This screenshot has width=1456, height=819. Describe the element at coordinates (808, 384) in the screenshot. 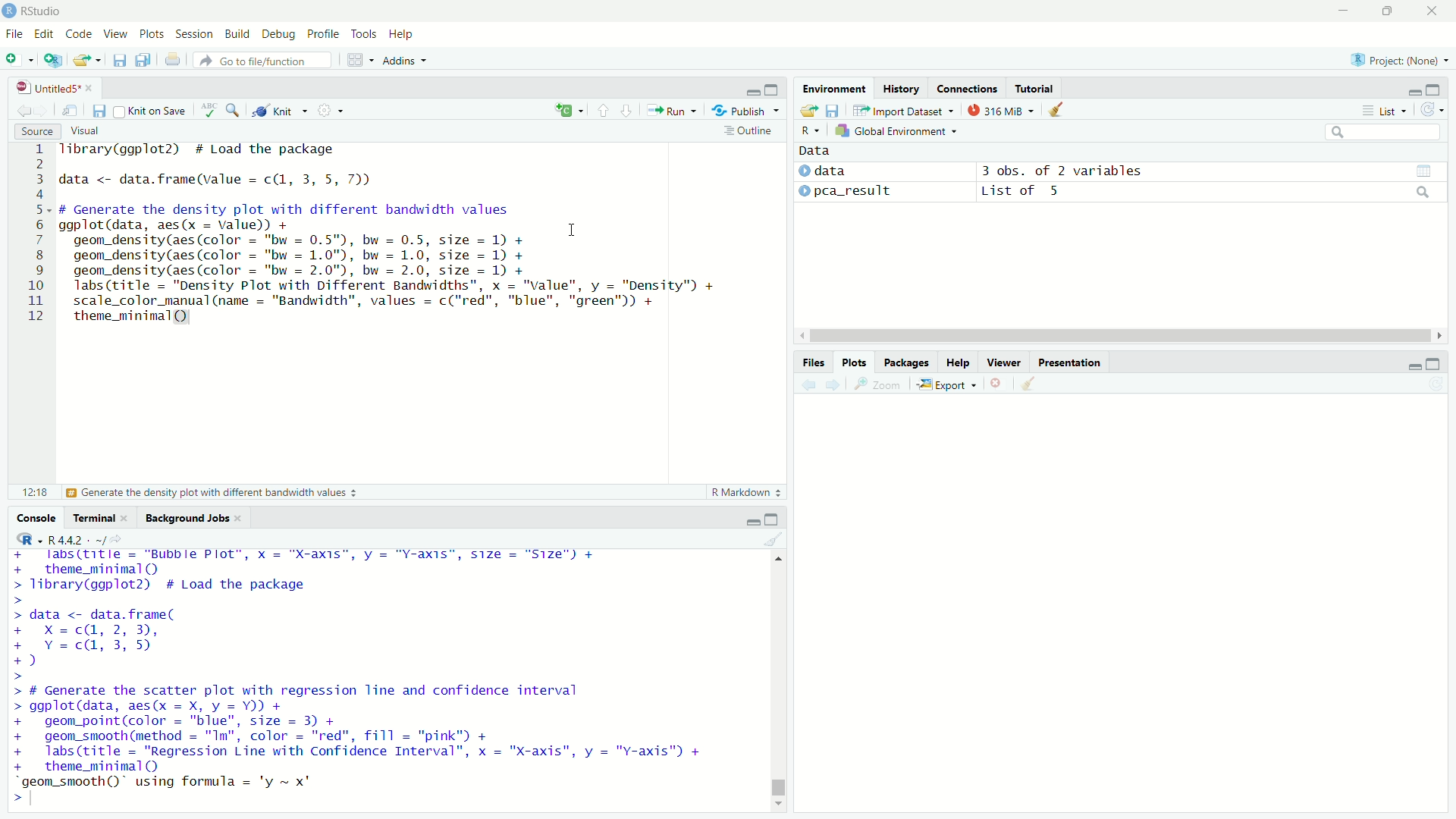

I see `Previous plot` at that location.